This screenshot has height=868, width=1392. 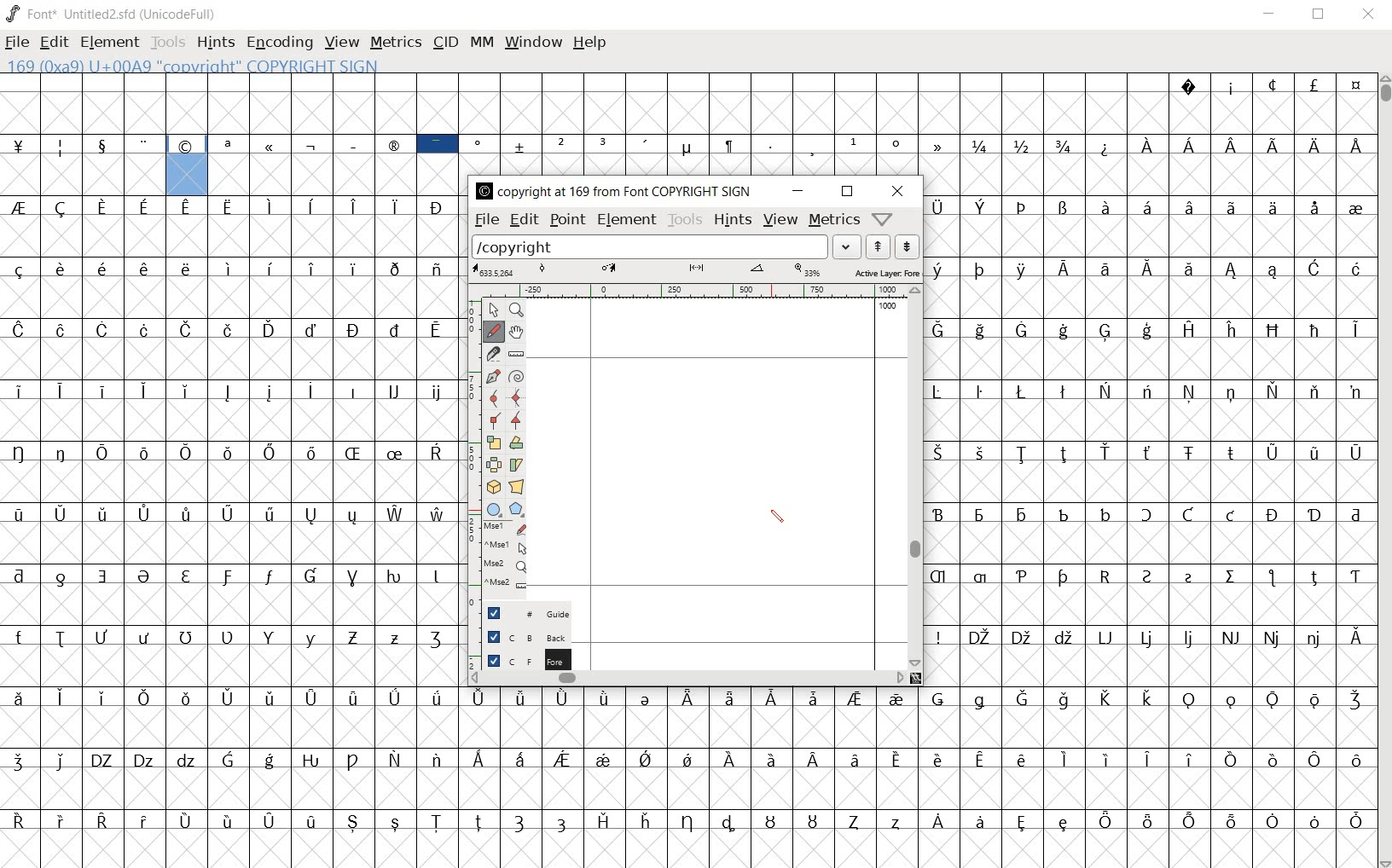 I want to click on Add a corner point, so click(x=497, y=420).